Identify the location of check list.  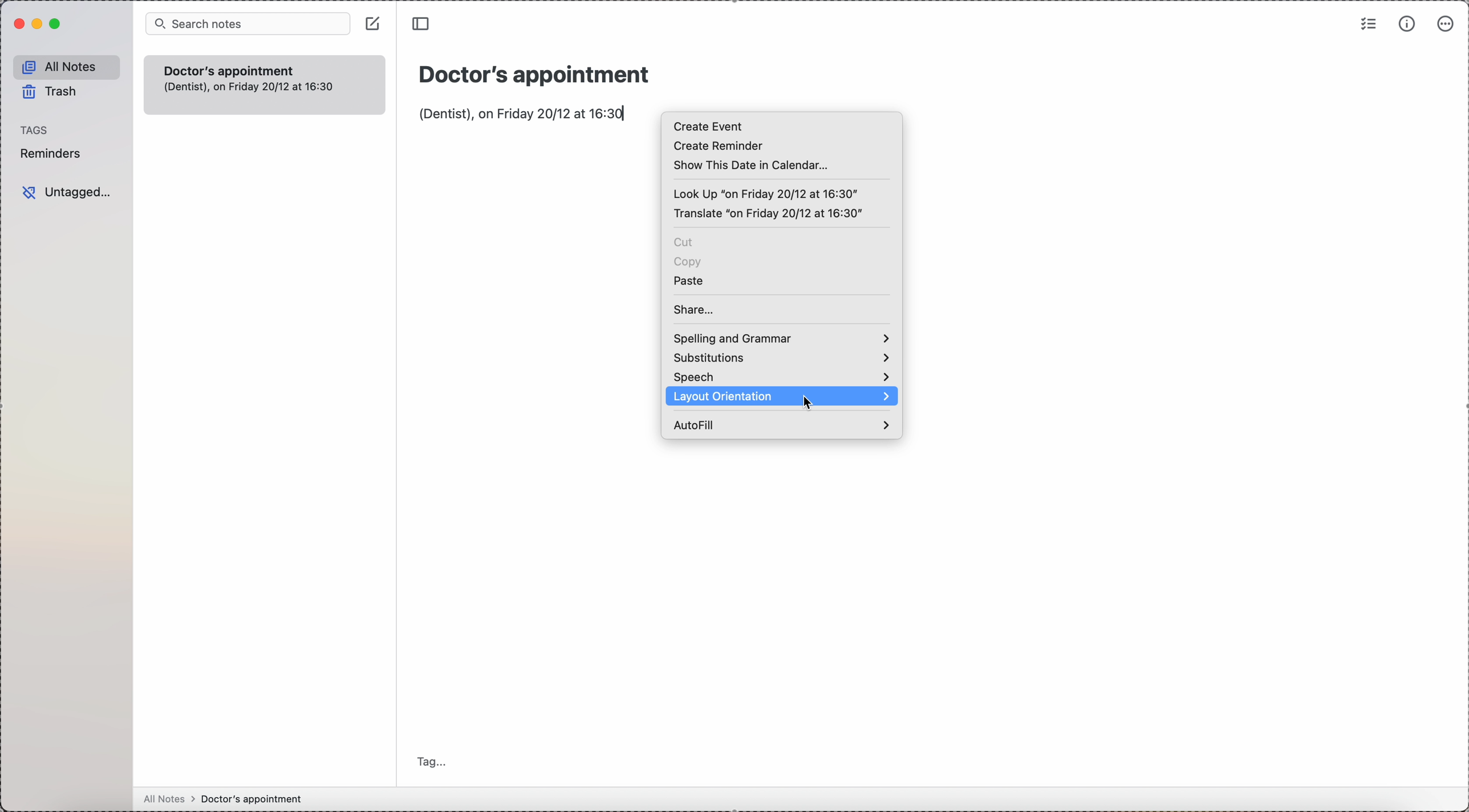
(1366, 25).